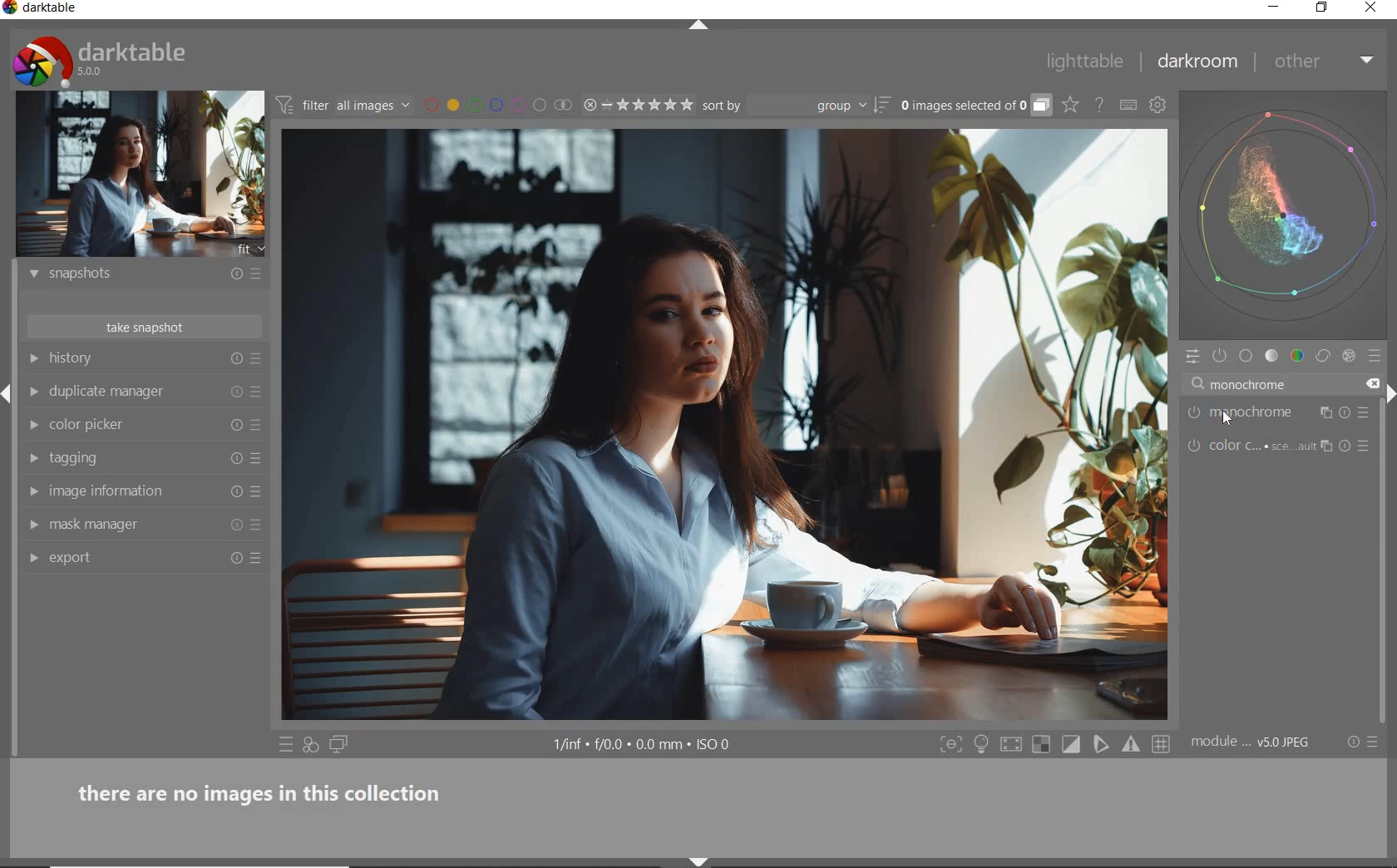 The width and height of the screenshot is (1397, 868). What do you see at coordinates (257, 392) in the screenshot?
I see `preset and preferences` at bounding box center [257, 392].